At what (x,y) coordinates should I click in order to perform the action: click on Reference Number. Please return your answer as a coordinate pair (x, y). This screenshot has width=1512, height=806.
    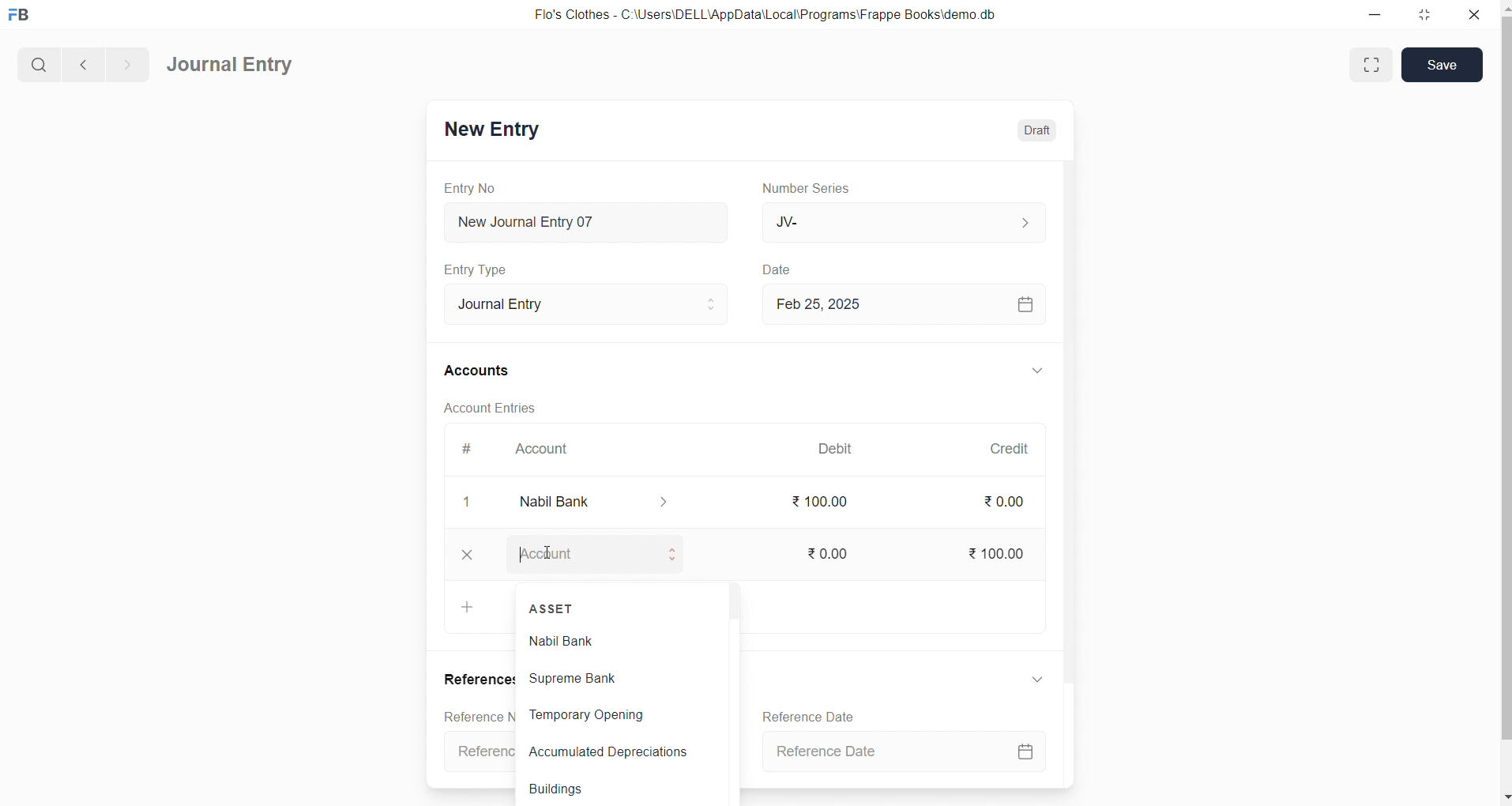
    Looking at the image, I should click on (486, 751).